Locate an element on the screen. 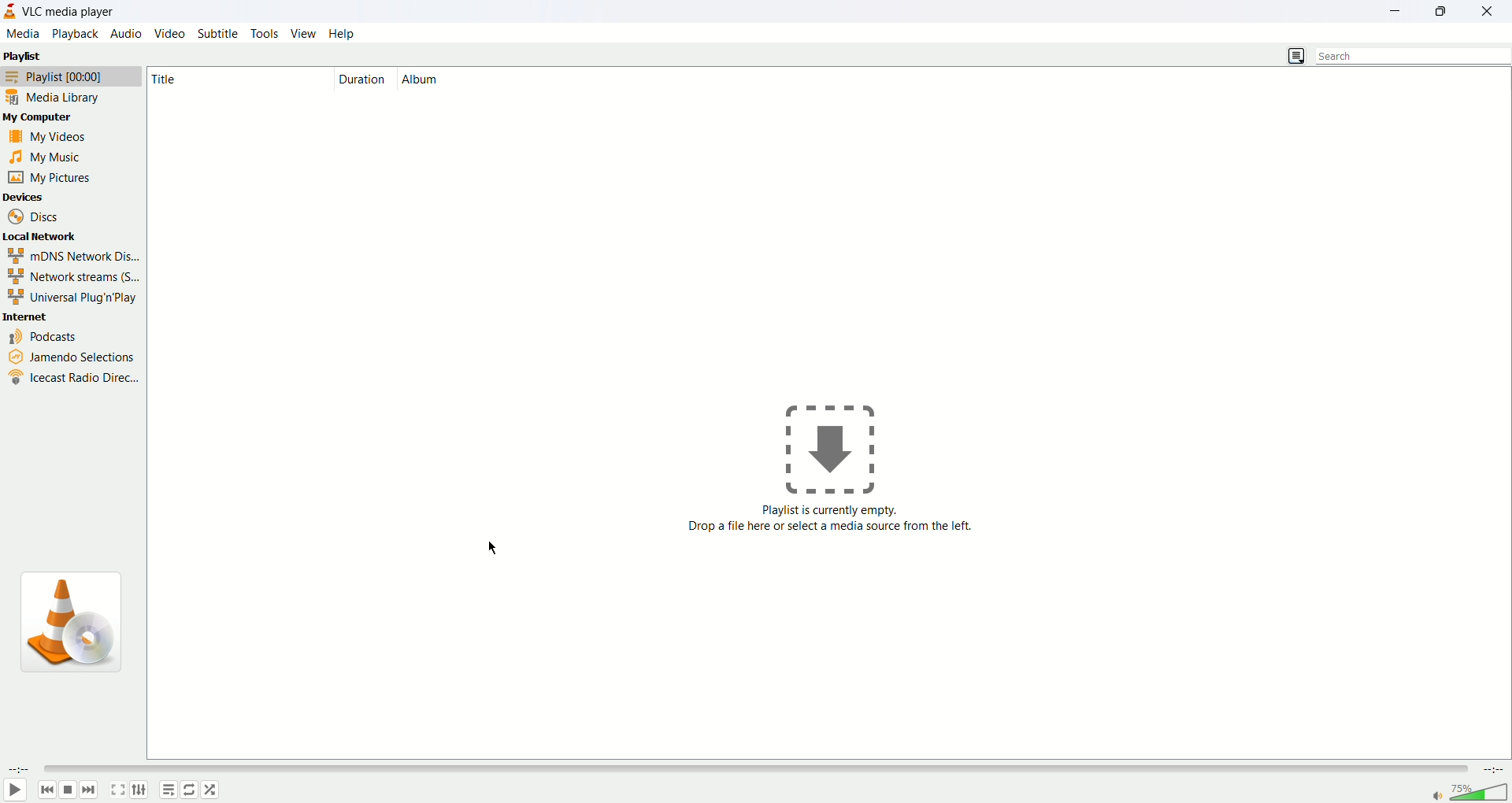 This screenshot has width=1512, height=803. playlist is located at coordinates (24, 57).